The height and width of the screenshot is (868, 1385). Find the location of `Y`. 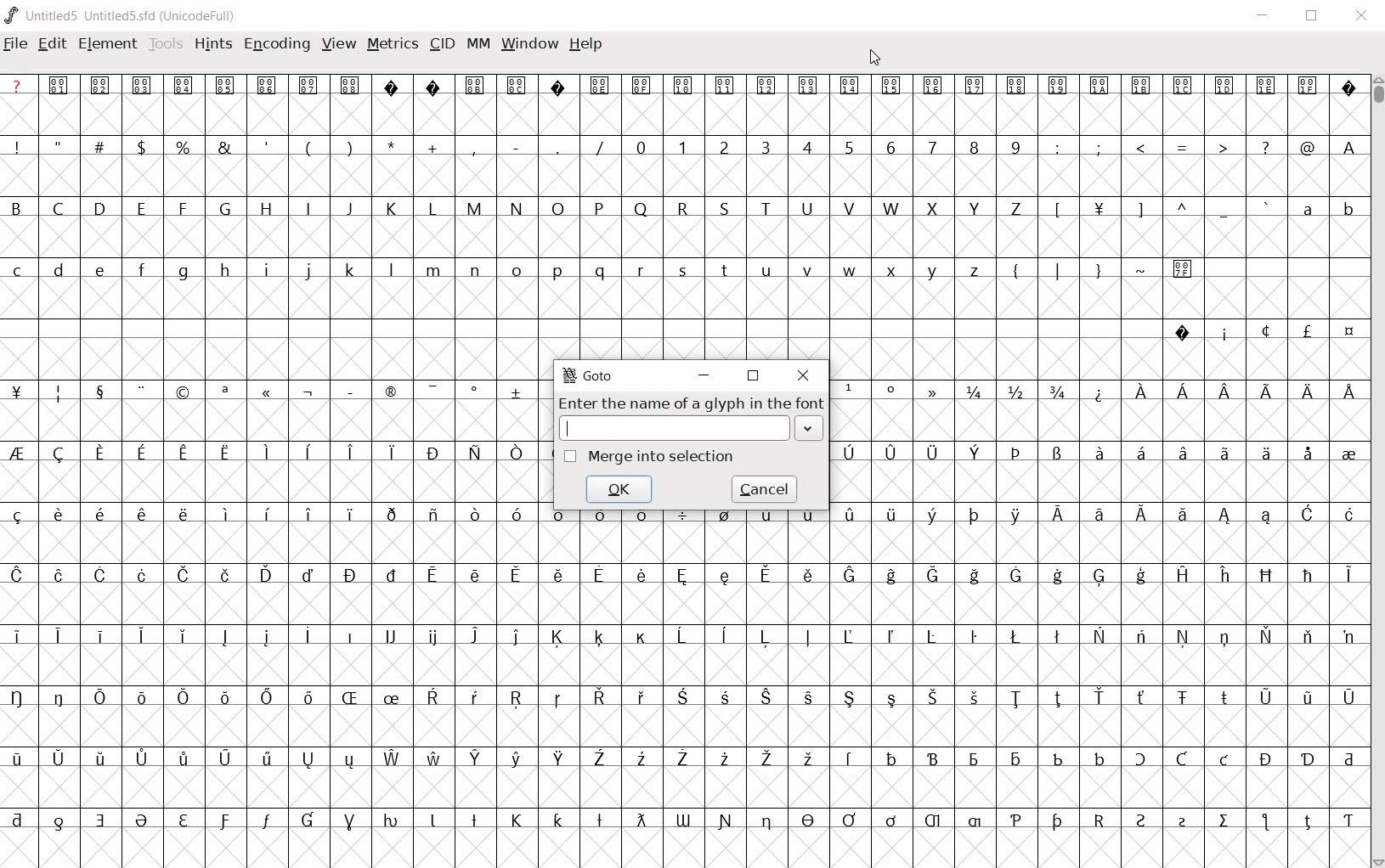

Y is located at coordinates (973, 208).